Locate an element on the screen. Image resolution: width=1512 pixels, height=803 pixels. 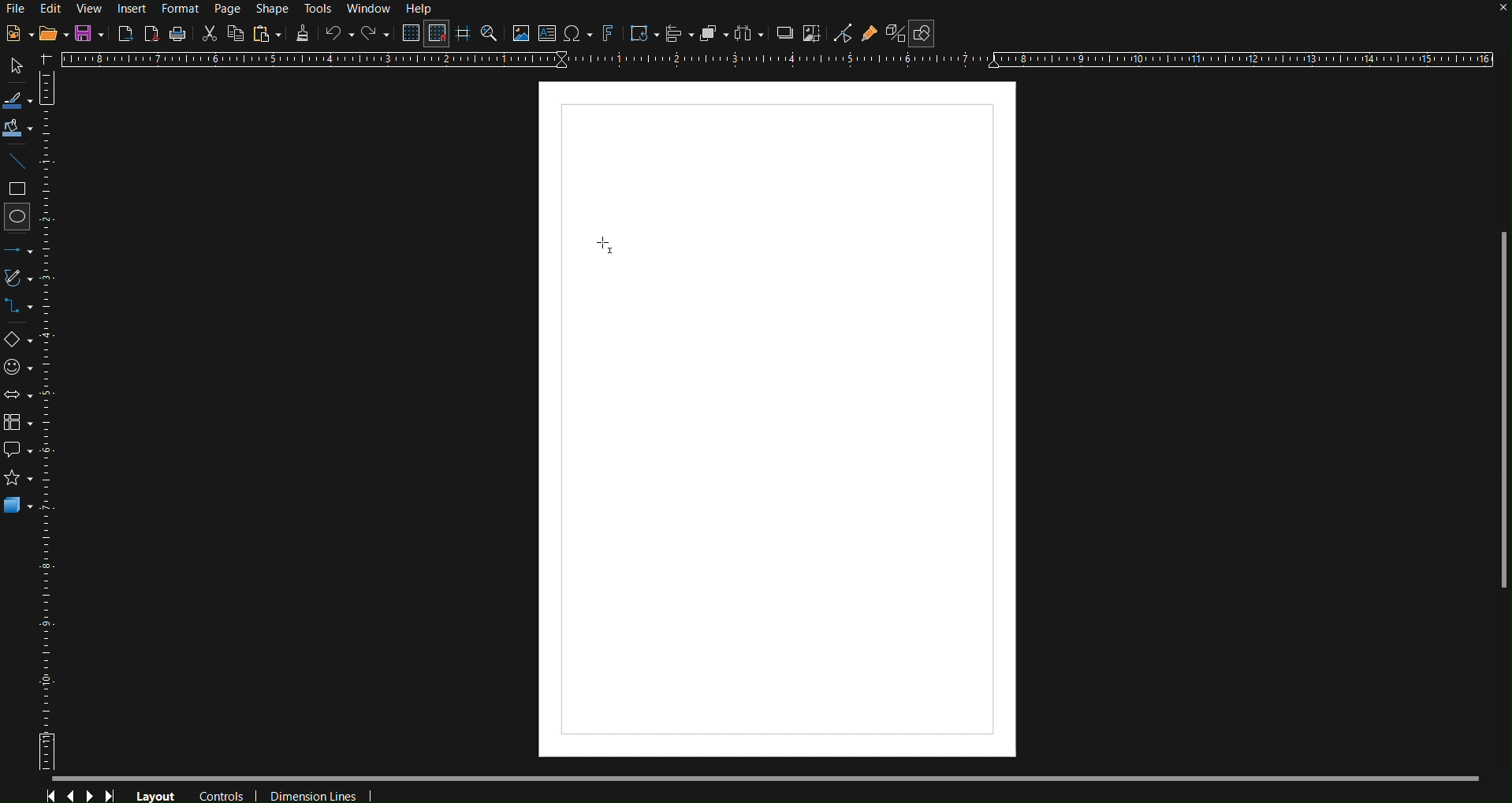
Horizontal Ruler is located at coordinates (776, 60).